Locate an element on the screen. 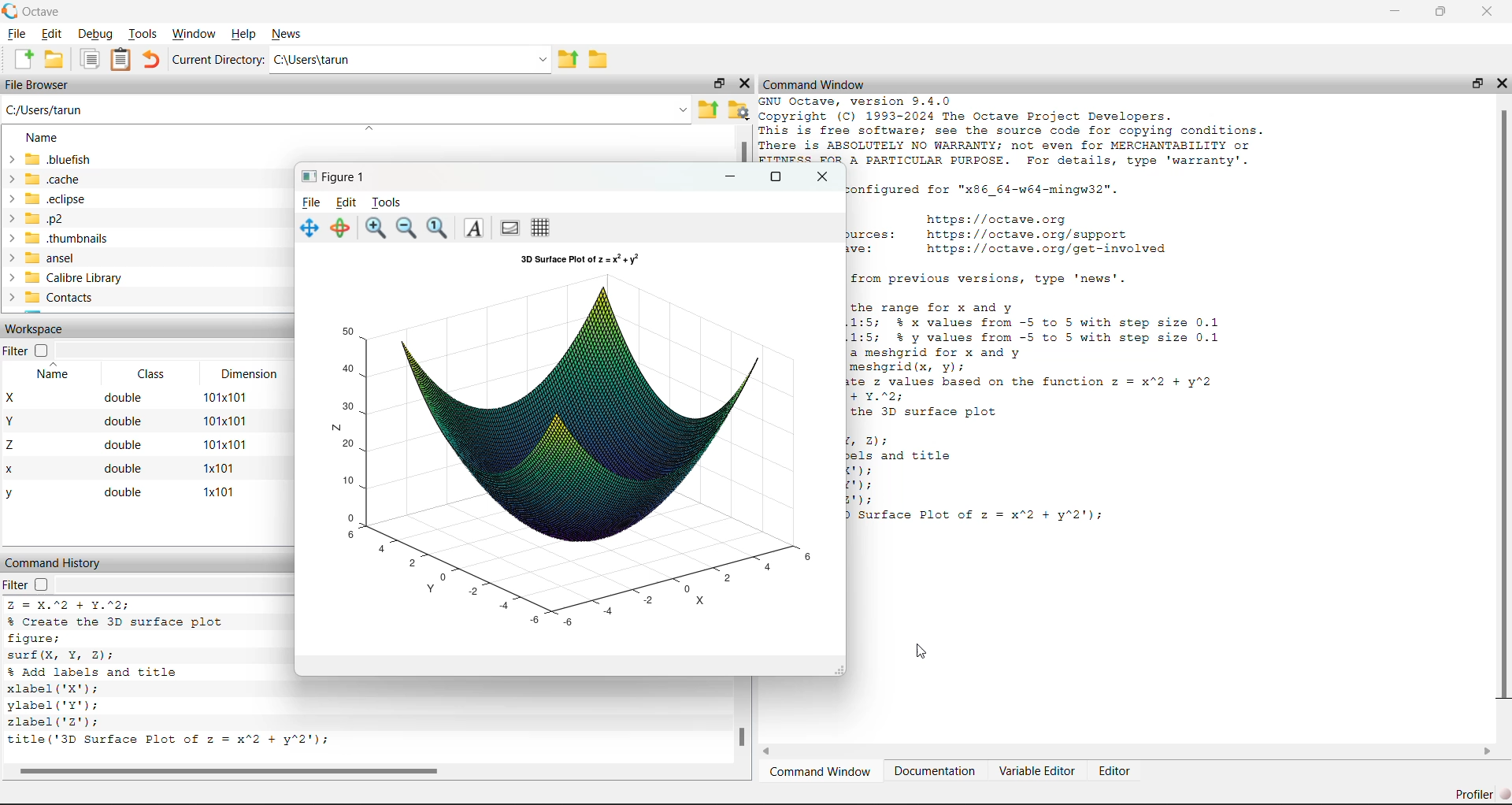 This screenshot has height=805, width=1512. zlabel('2'); is located at coordinates (57, 721).